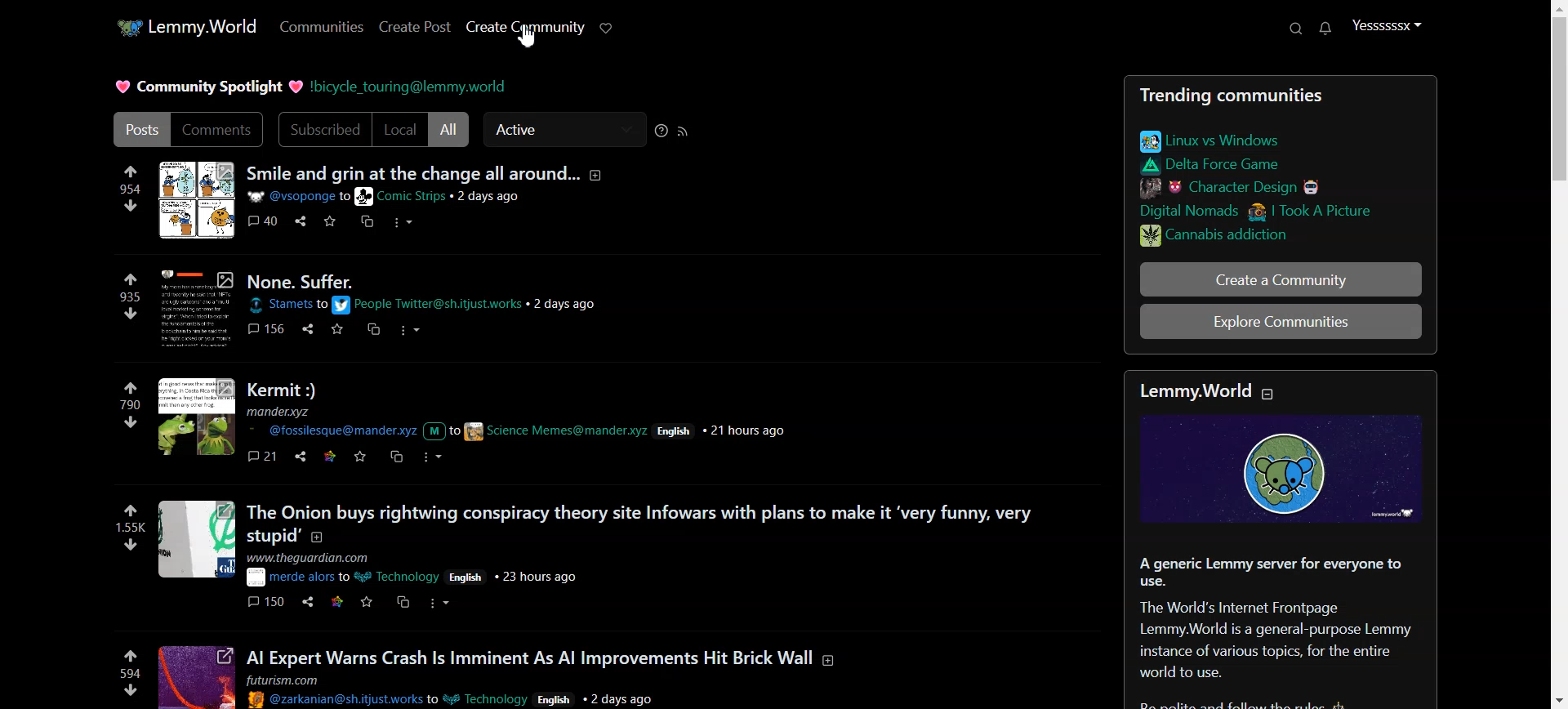  Describe the element at coordinates (131, 672) in the screenshot. I see `numbers` at that location.